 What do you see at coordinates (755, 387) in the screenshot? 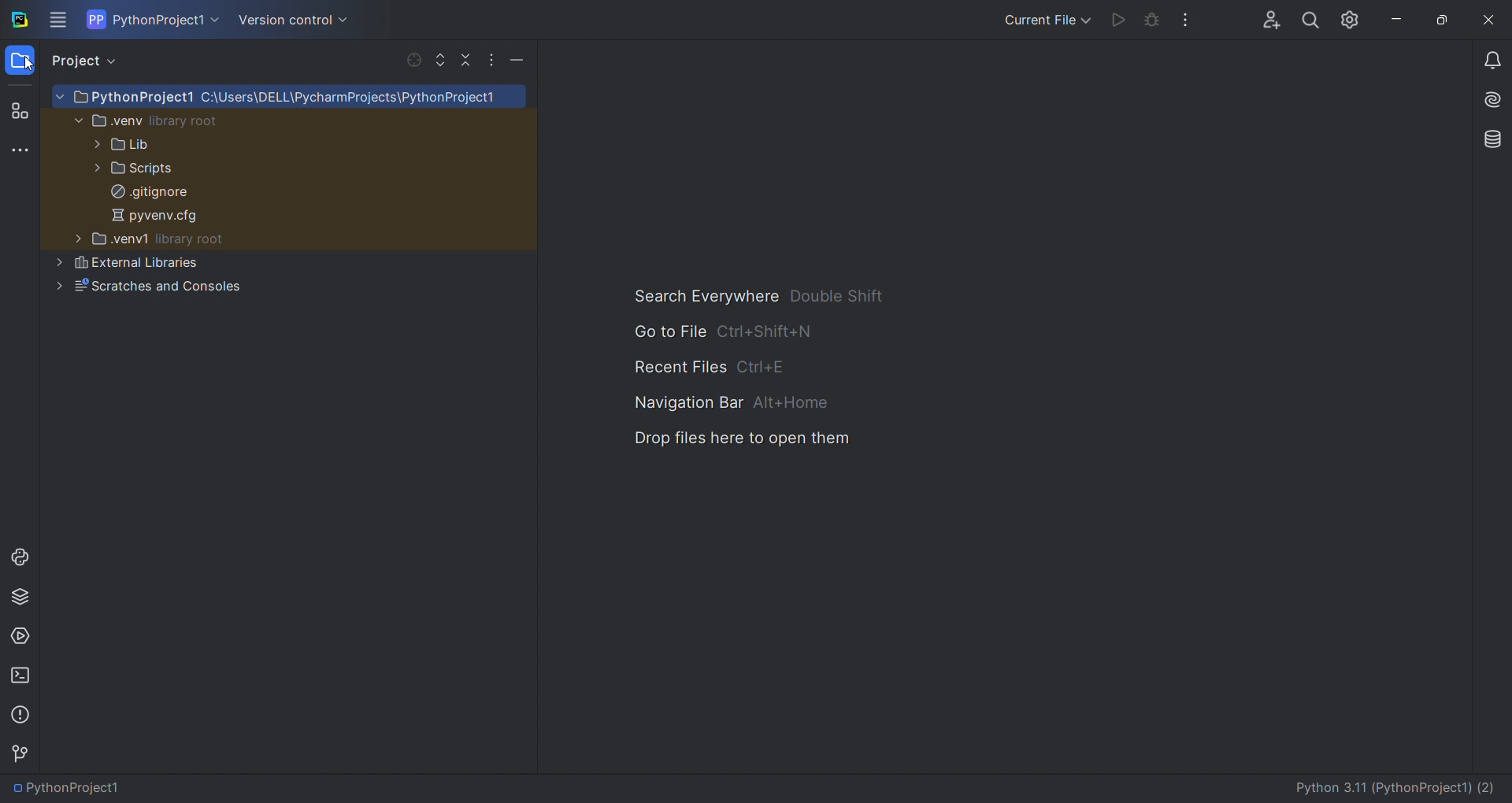
I see `shortcuts` at bounding box center [755, 387].